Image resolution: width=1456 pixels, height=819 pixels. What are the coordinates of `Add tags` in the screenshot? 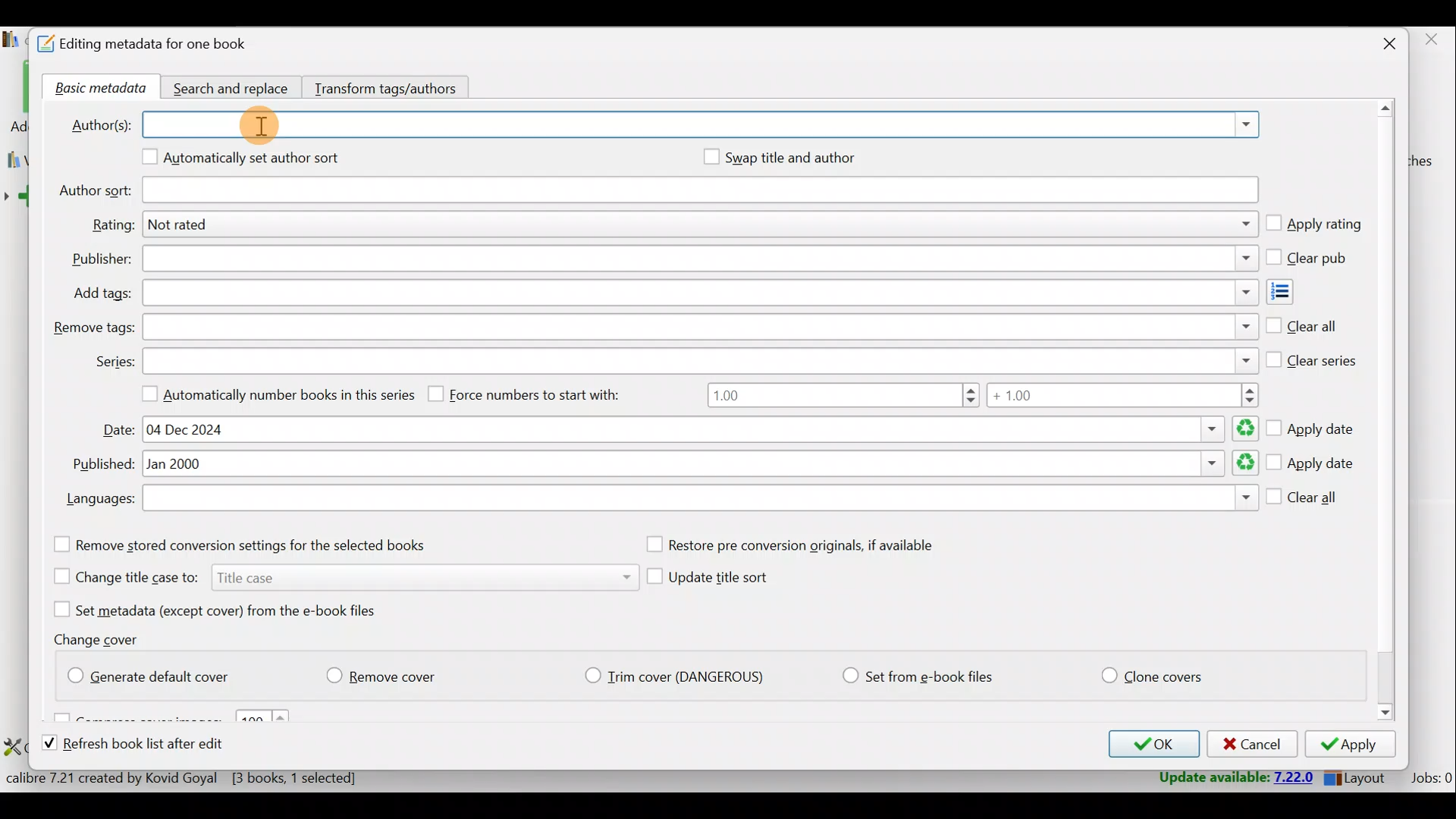 It's located at (698, 293).